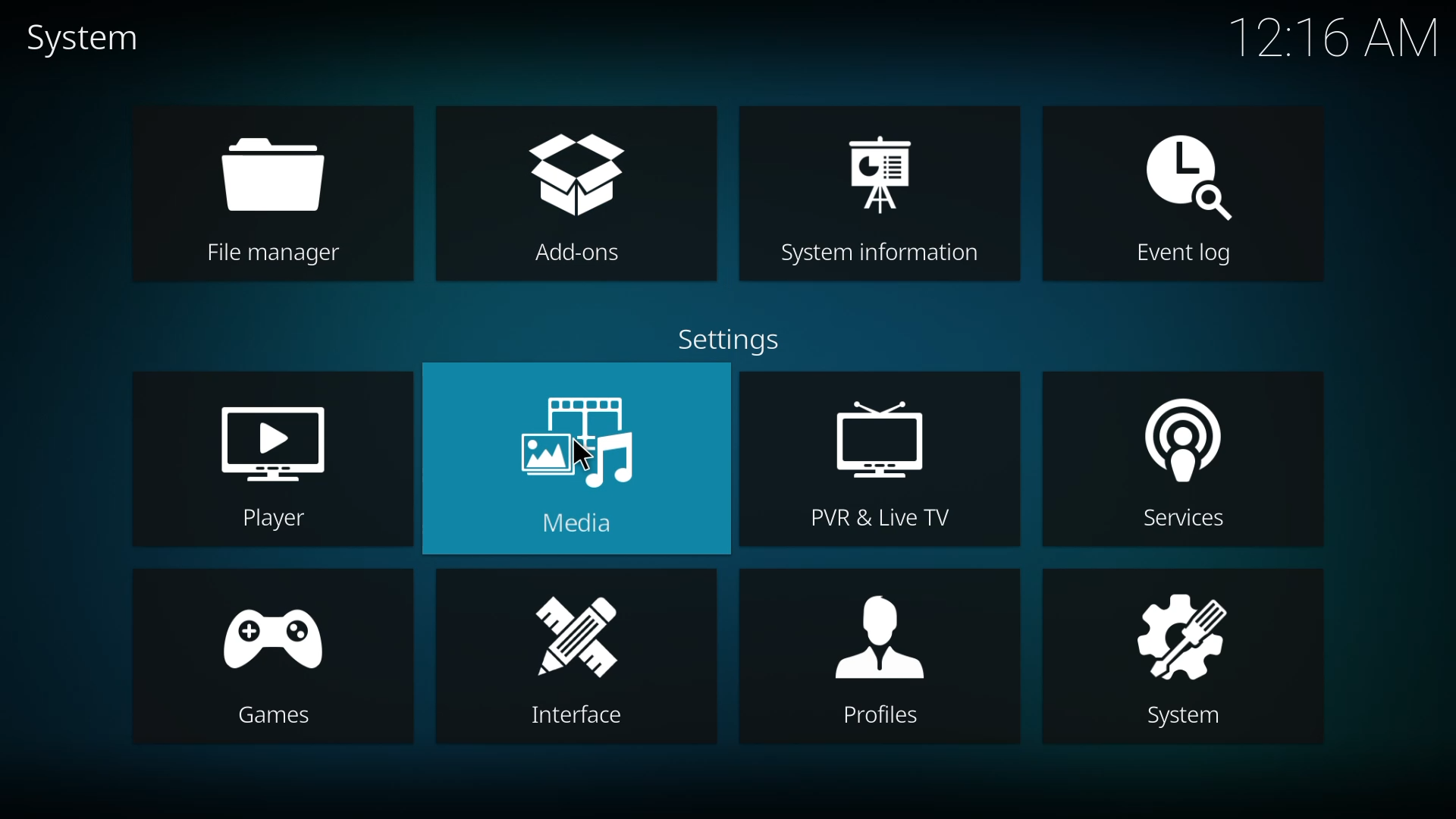  Describe the element at coordinates (726, 337) in the screenshot. I see `settings` at that location.